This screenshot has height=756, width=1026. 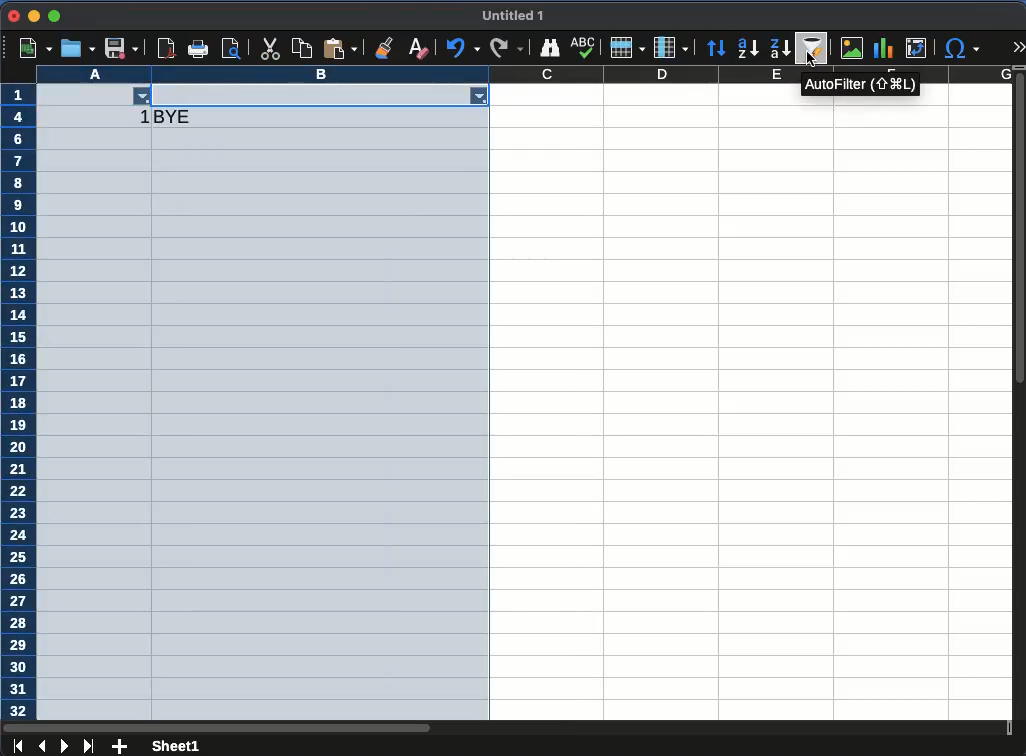 I want to click on column, so click(x=419, y=74).